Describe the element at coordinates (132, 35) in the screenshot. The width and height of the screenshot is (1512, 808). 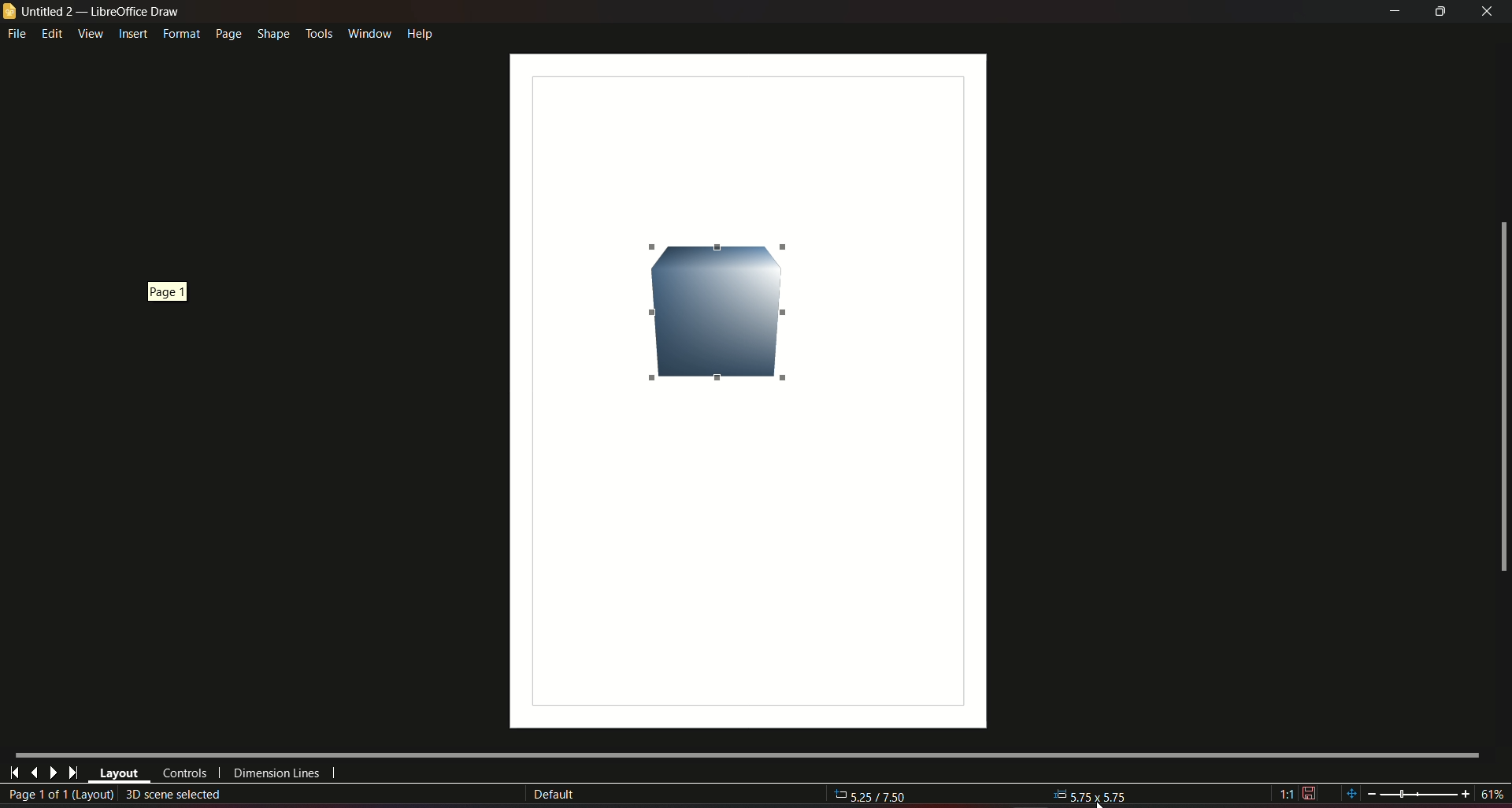
I see `insert` at that location.